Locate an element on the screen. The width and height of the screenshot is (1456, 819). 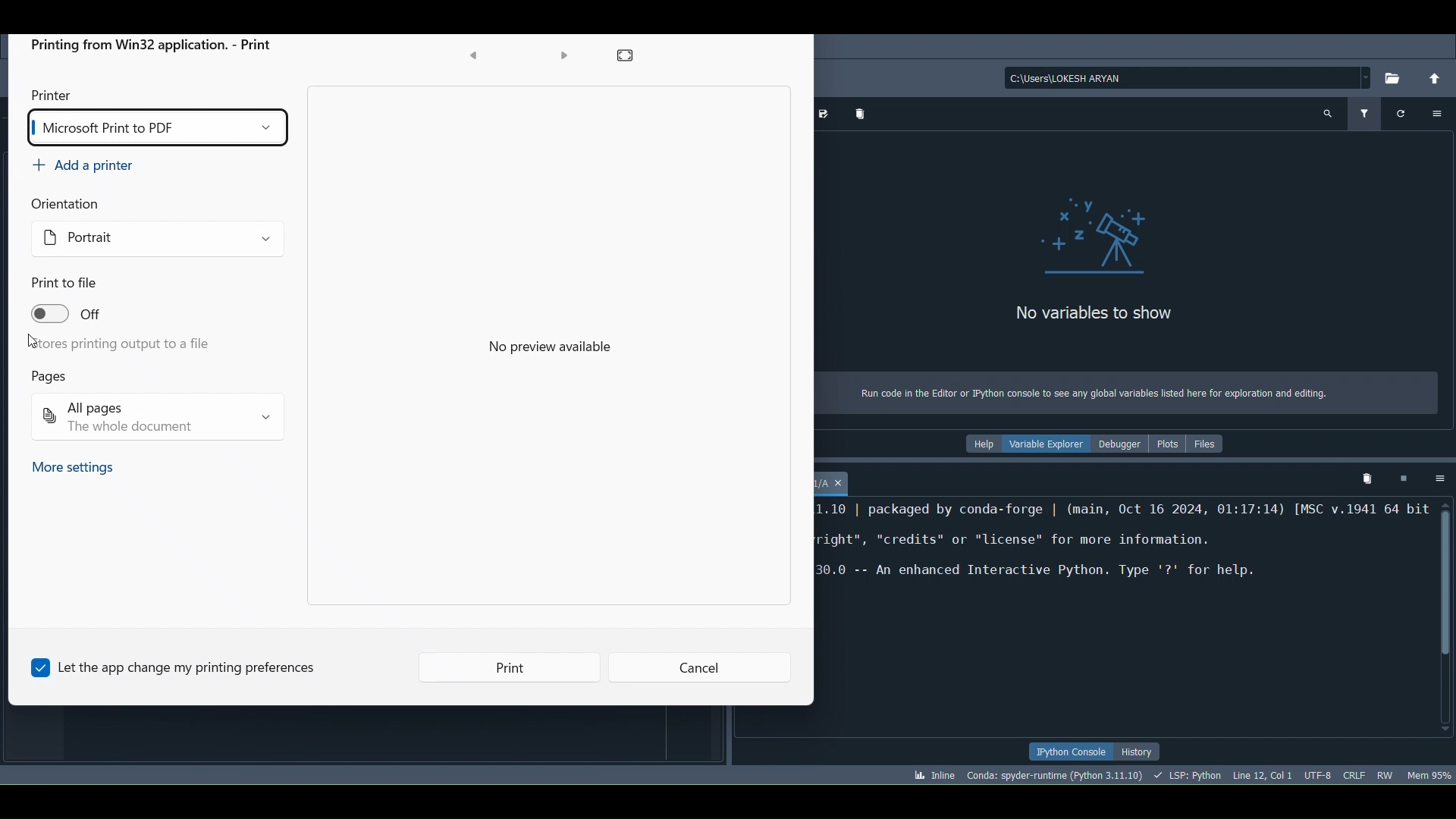
Cursor is located at coordinates (29, 342).